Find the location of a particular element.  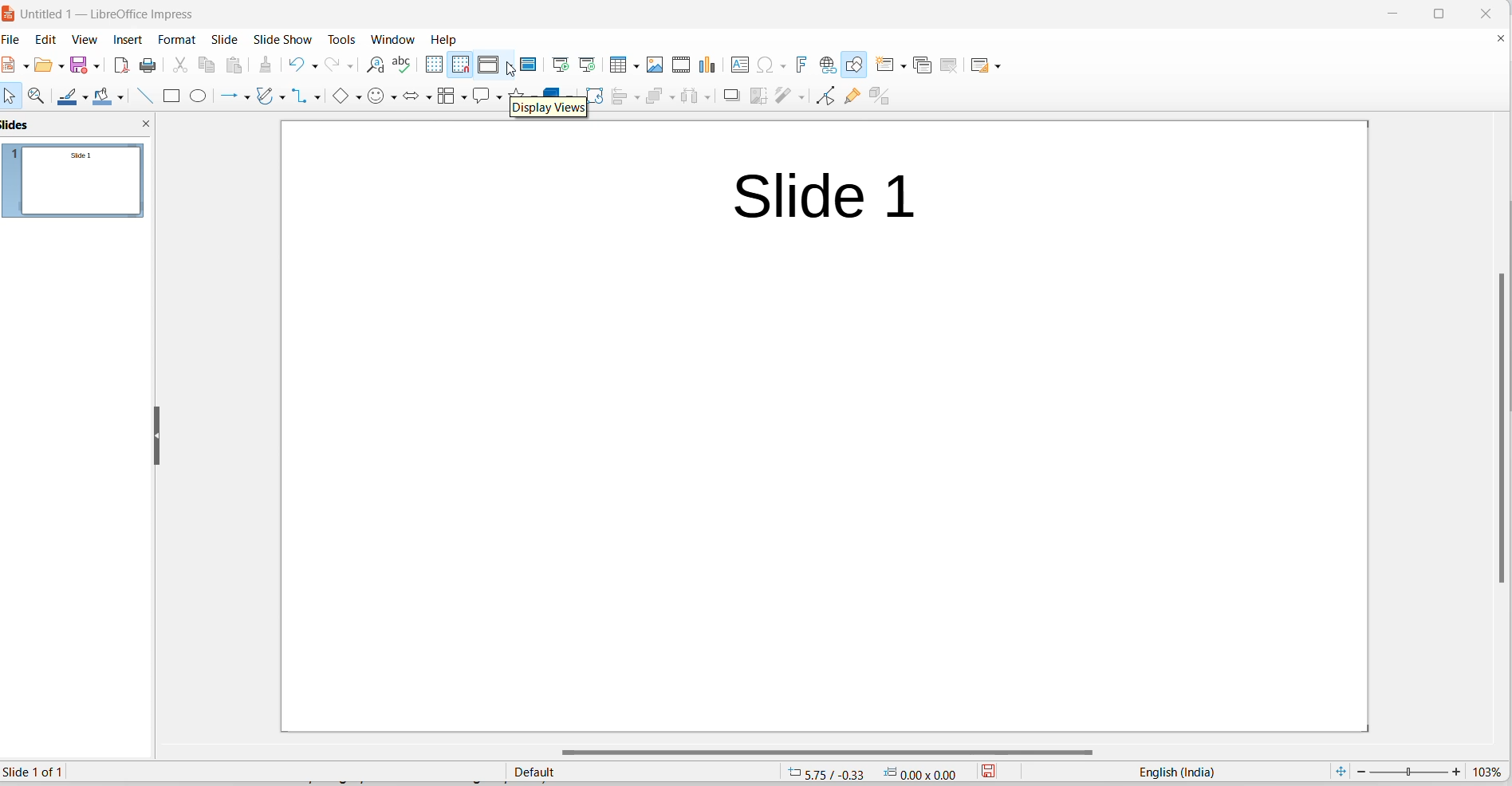

redo options is located at coordinates (350, 65).